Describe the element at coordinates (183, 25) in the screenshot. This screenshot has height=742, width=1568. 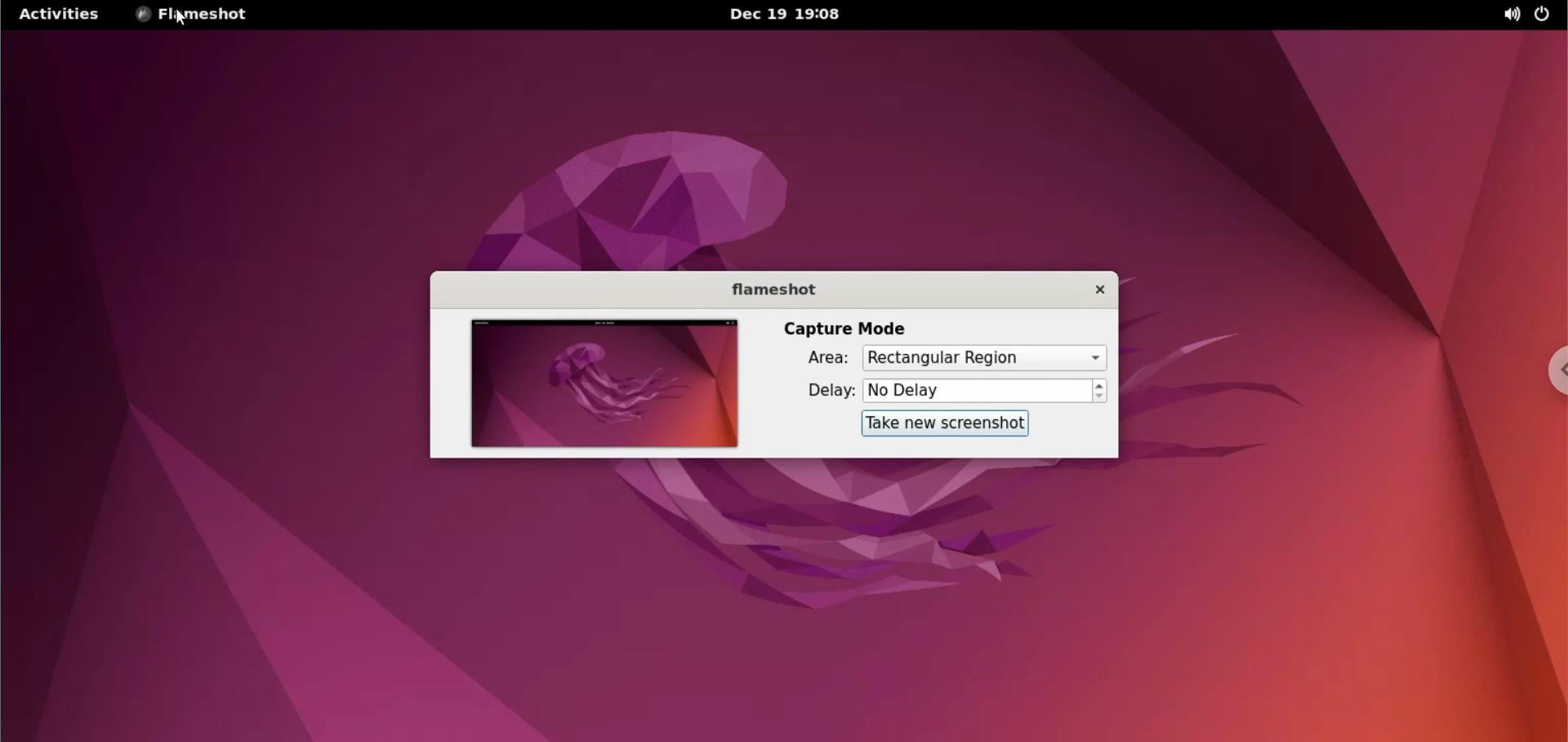
I see `cursor` at that location.